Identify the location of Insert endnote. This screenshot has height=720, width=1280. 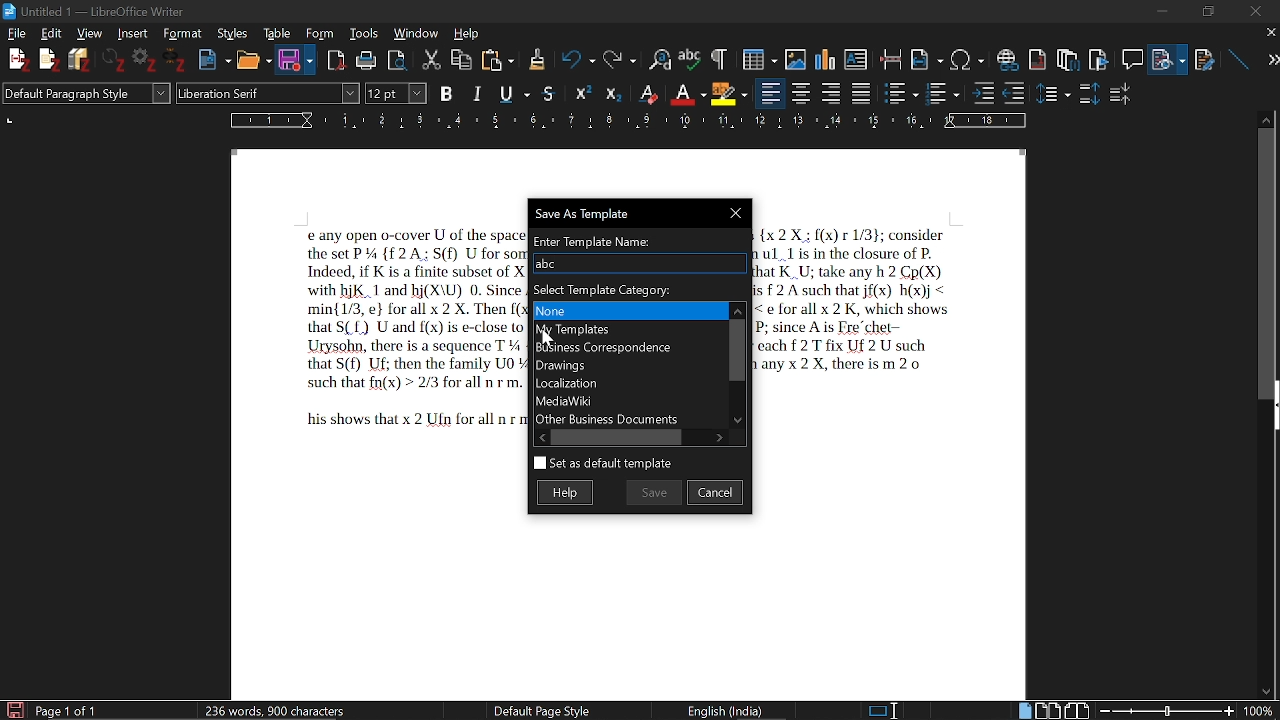
(1039, 55).